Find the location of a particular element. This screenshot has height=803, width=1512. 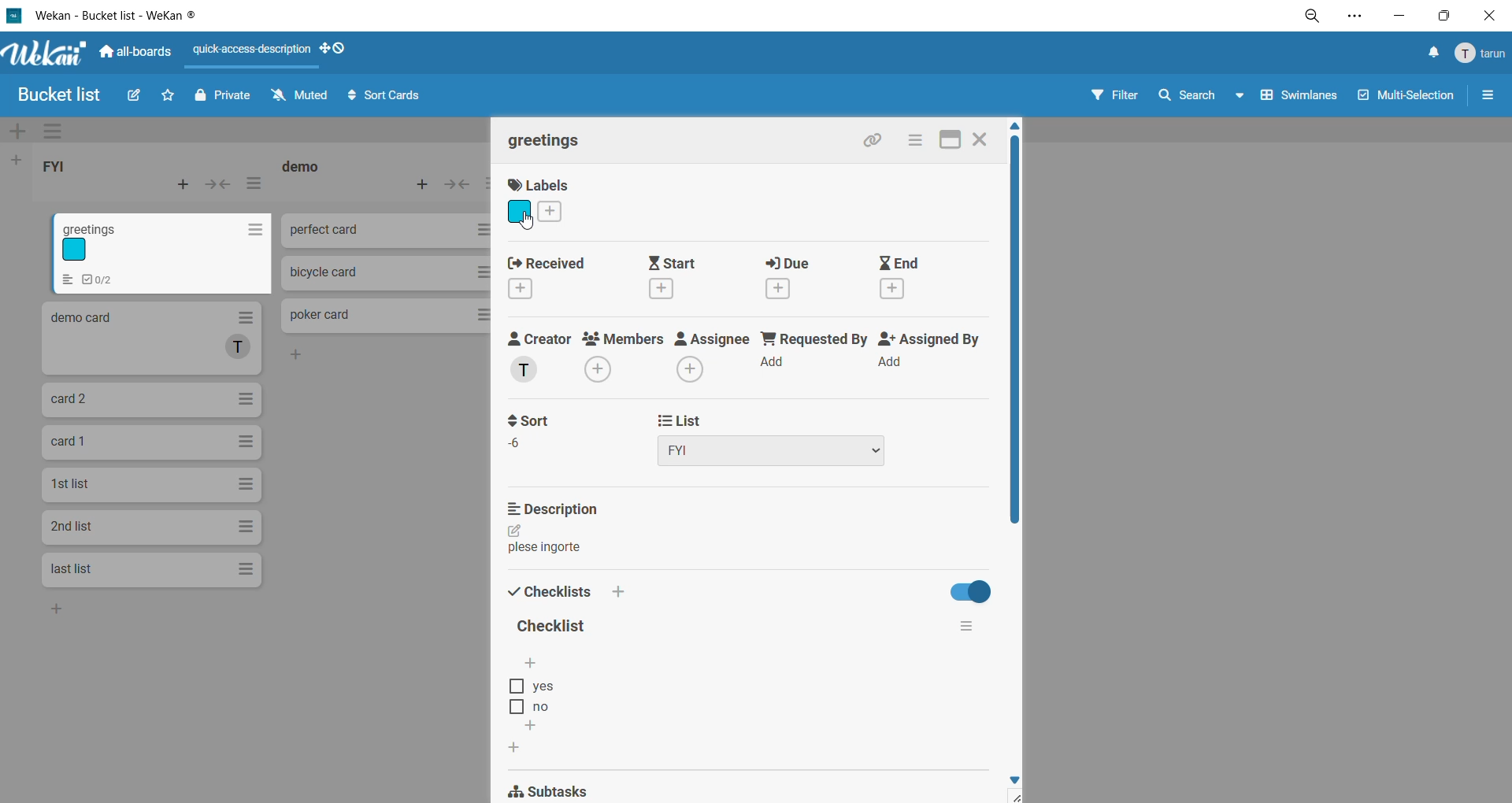

add card is located at coordinates (424, 187).